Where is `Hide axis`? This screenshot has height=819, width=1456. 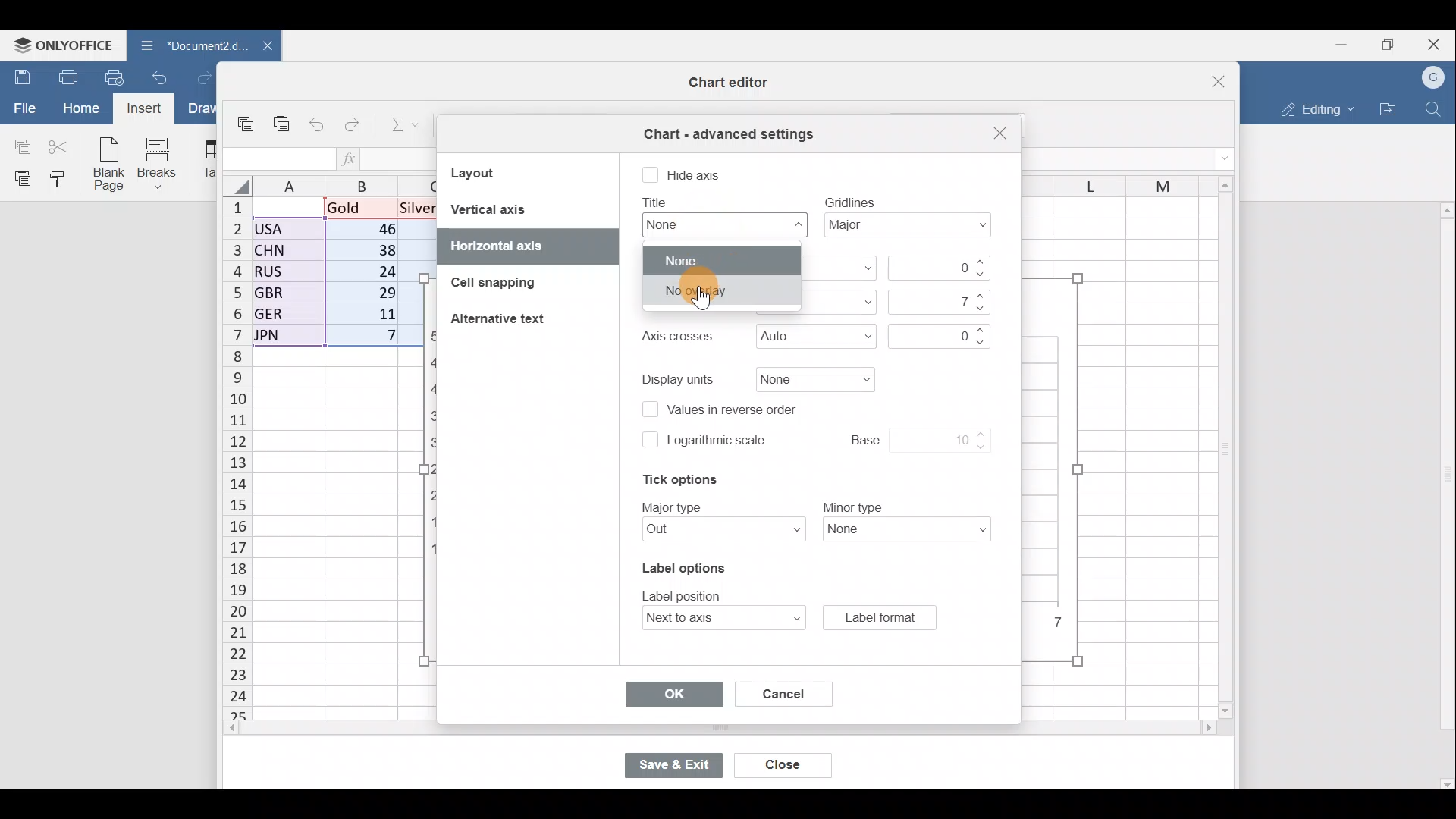 Hide axis is located at coordinates (697, 173).